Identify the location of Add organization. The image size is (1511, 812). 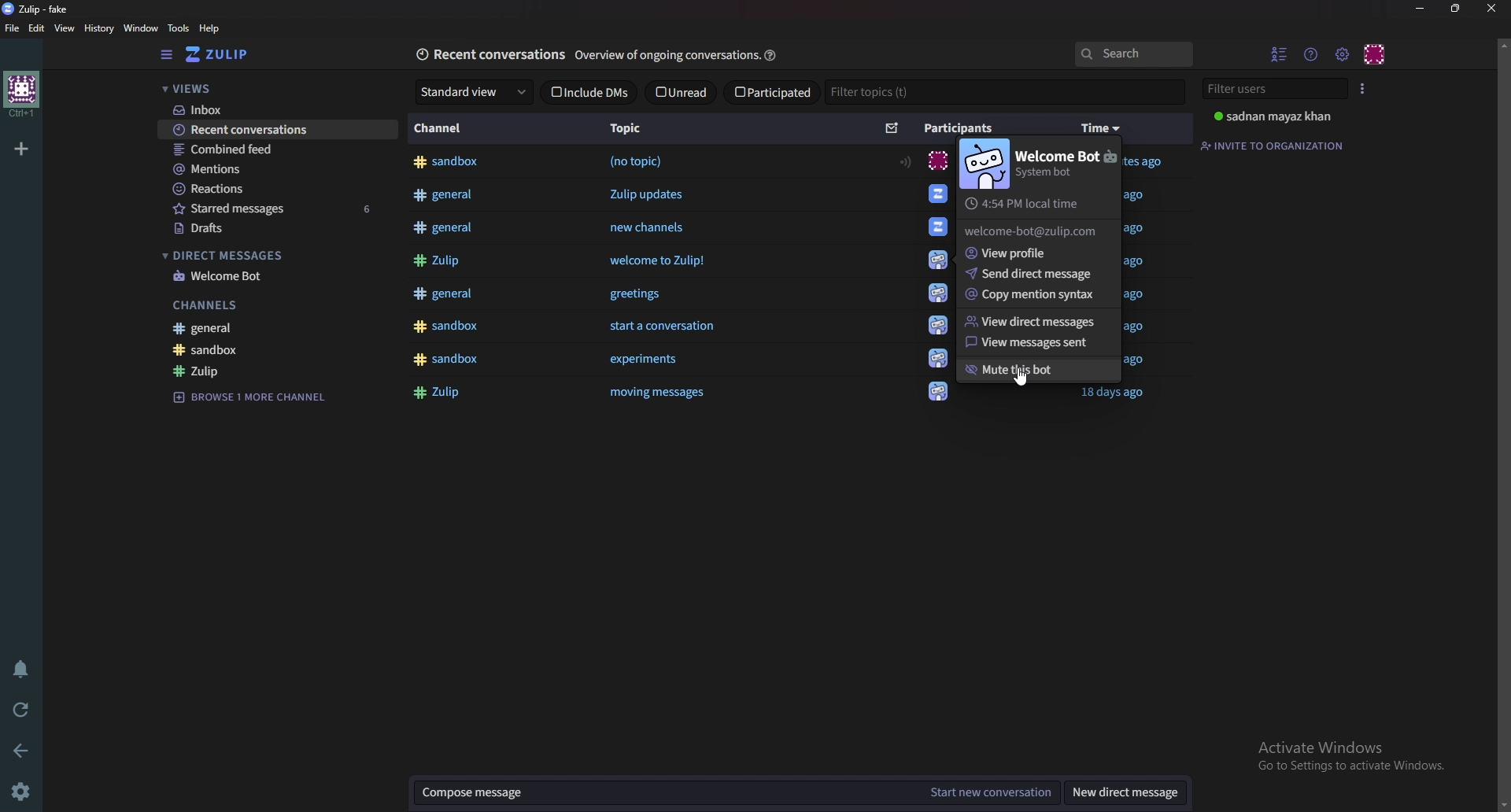
(20, 147).